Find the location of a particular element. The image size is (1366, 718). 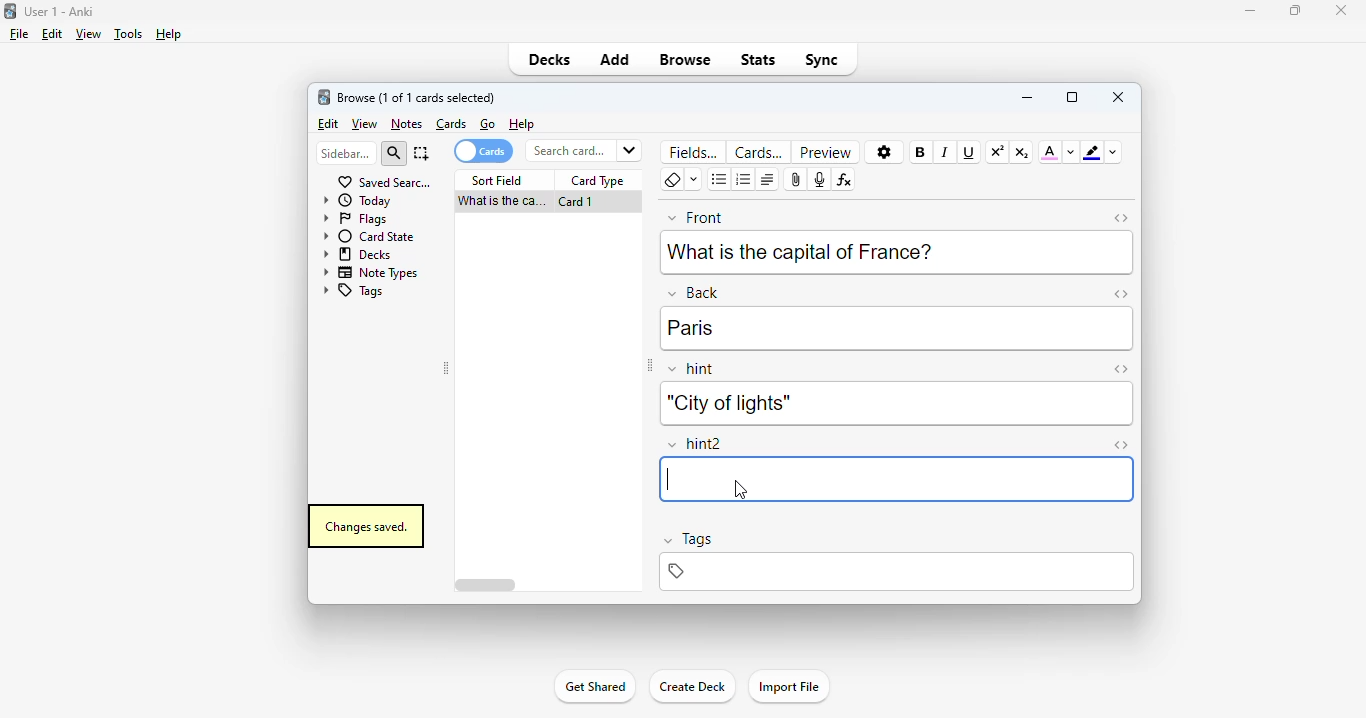

logo is located at coordinates (9, 10).